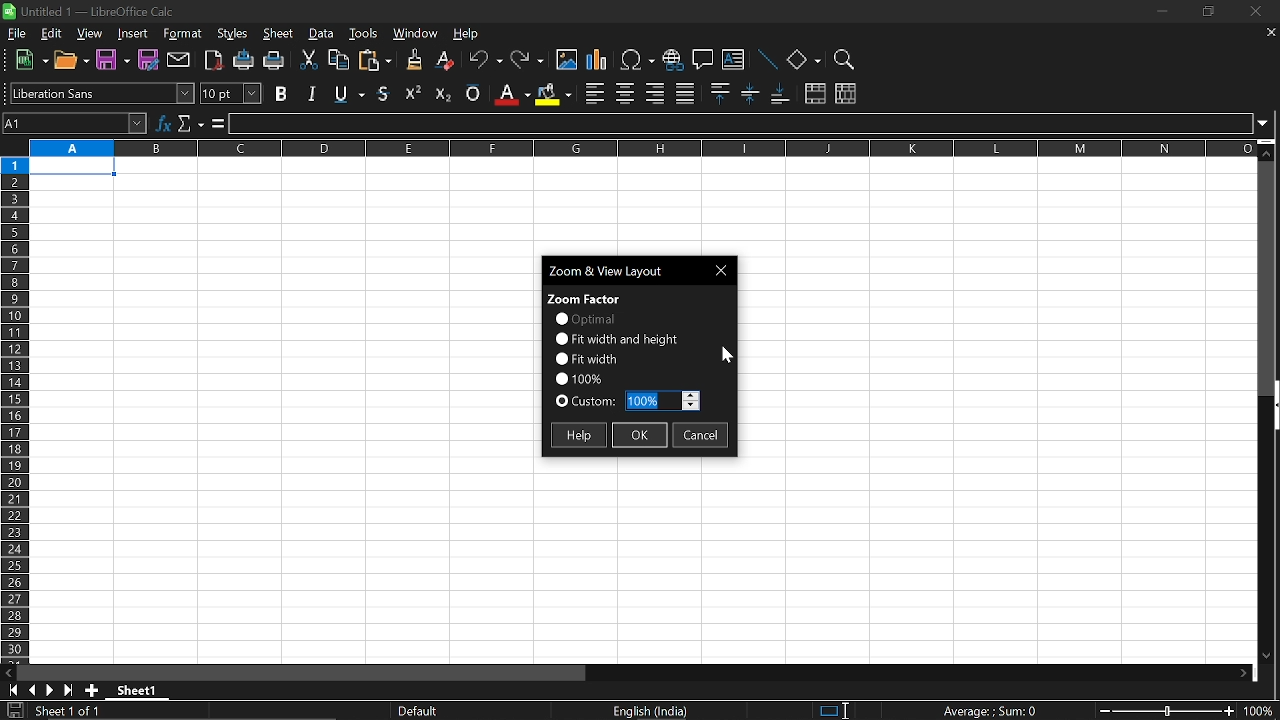 Image resolution: width=1280 pixels, height=720 pixels. What do you see at coordinates (1262, 713) in the screenshot?
I see `current zoom` at bounding box center [1262, 713].